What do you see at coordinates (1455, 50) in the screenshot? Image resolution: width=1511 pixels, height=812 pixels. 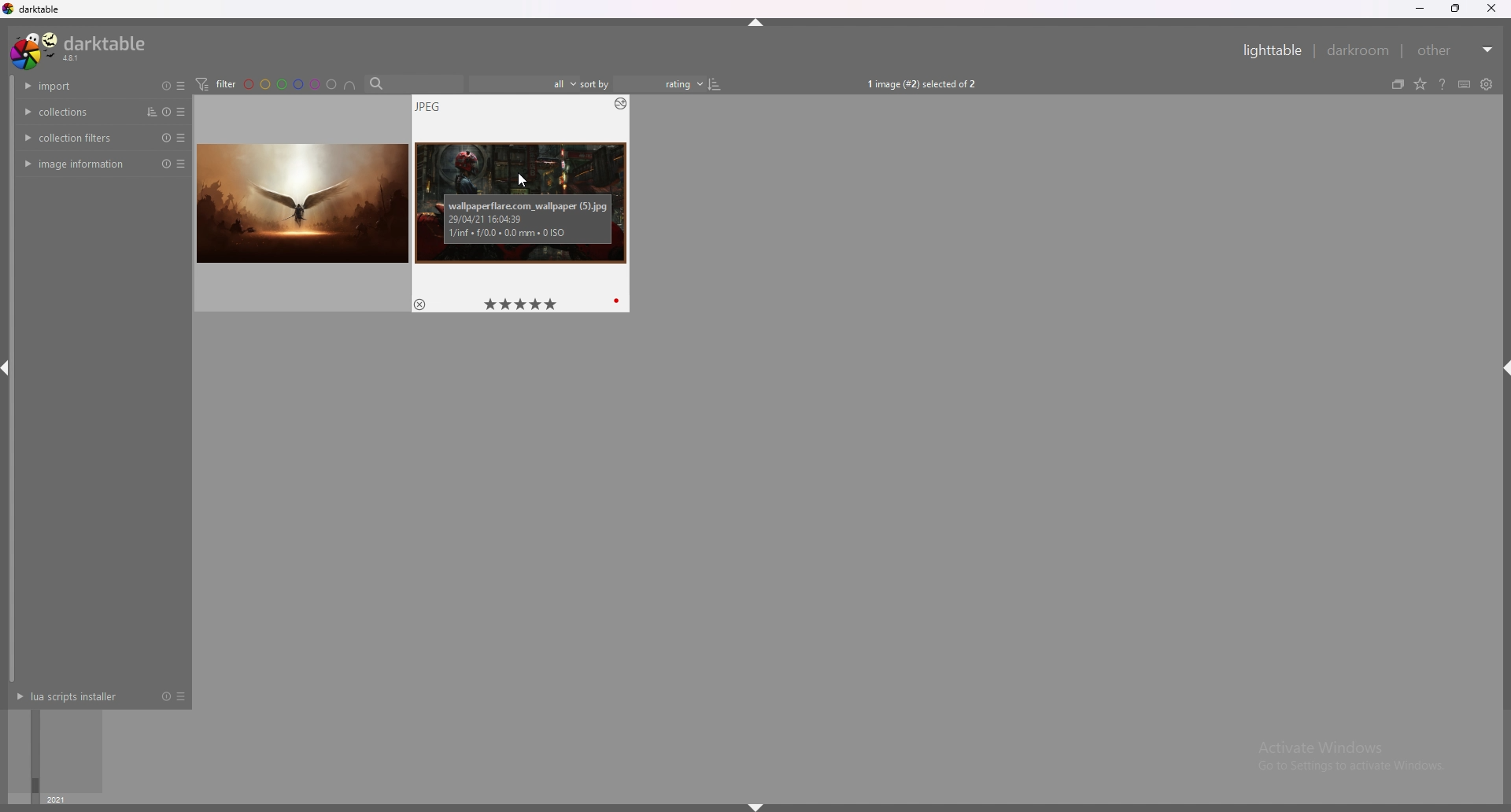 I see `other` at bounding box center [1455, 50].